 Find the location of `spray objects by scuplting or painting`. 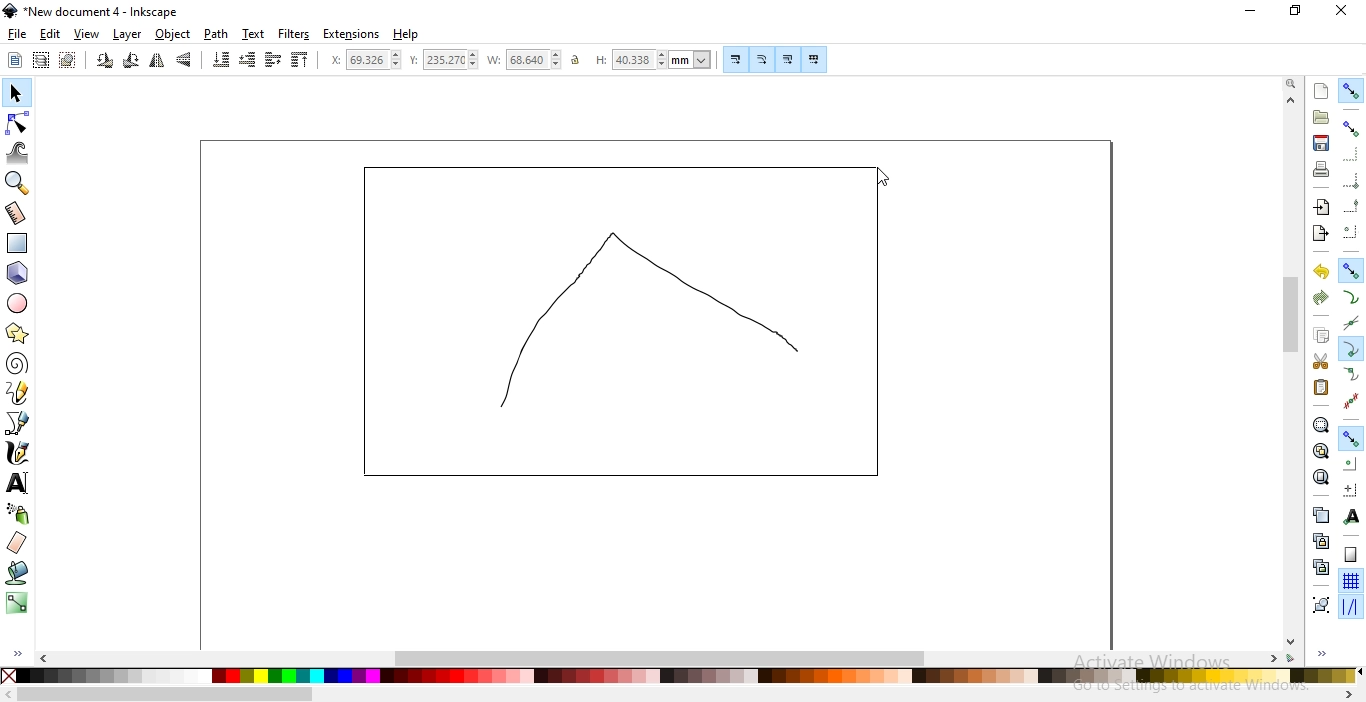

spray objects by scuplting or painting is located at coordinates (19, 513).